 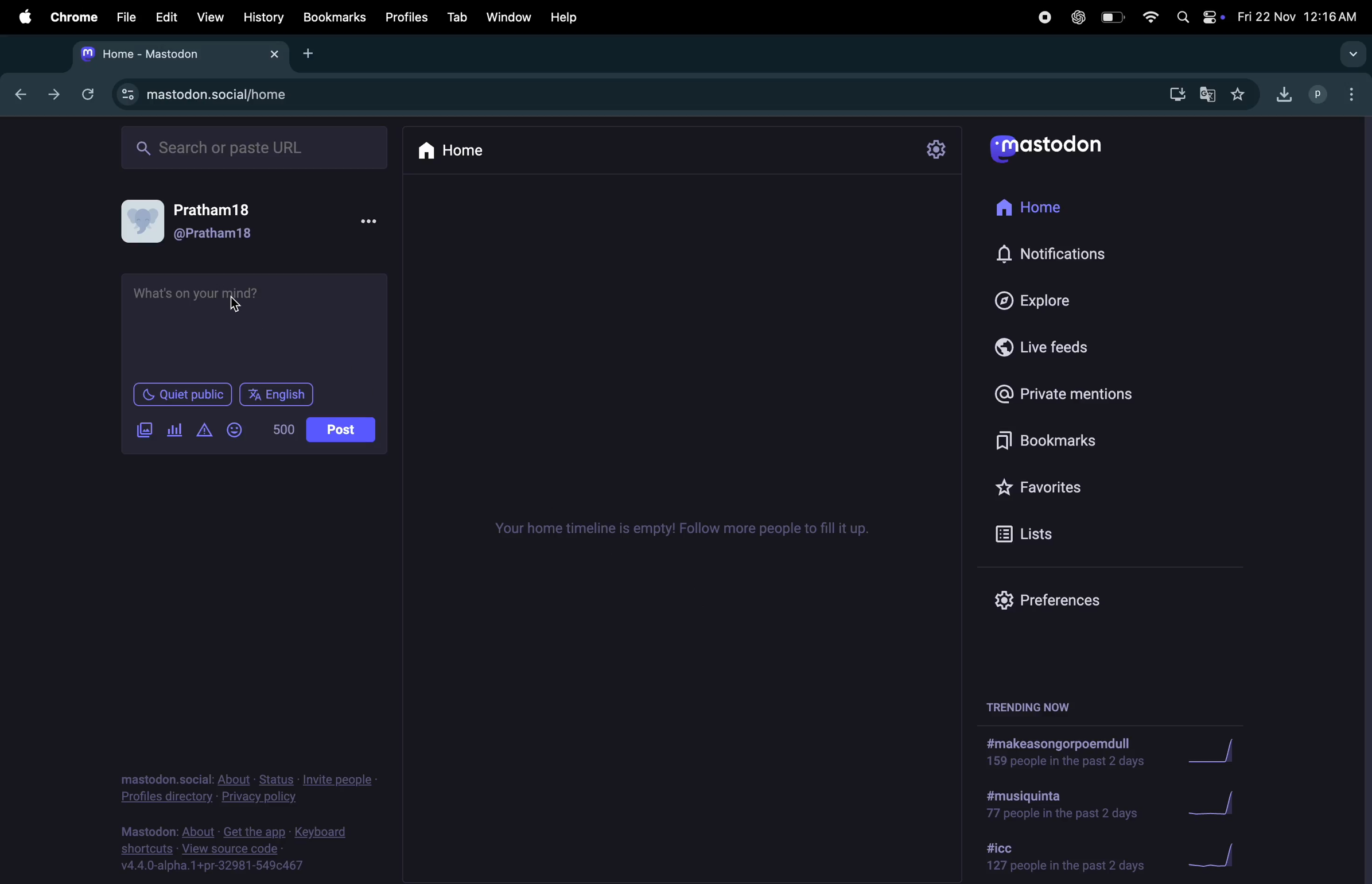 What do you see at coordinates (240, 790) in the screenshot?
I see `privacy policy` at bounding box center [240, 790].